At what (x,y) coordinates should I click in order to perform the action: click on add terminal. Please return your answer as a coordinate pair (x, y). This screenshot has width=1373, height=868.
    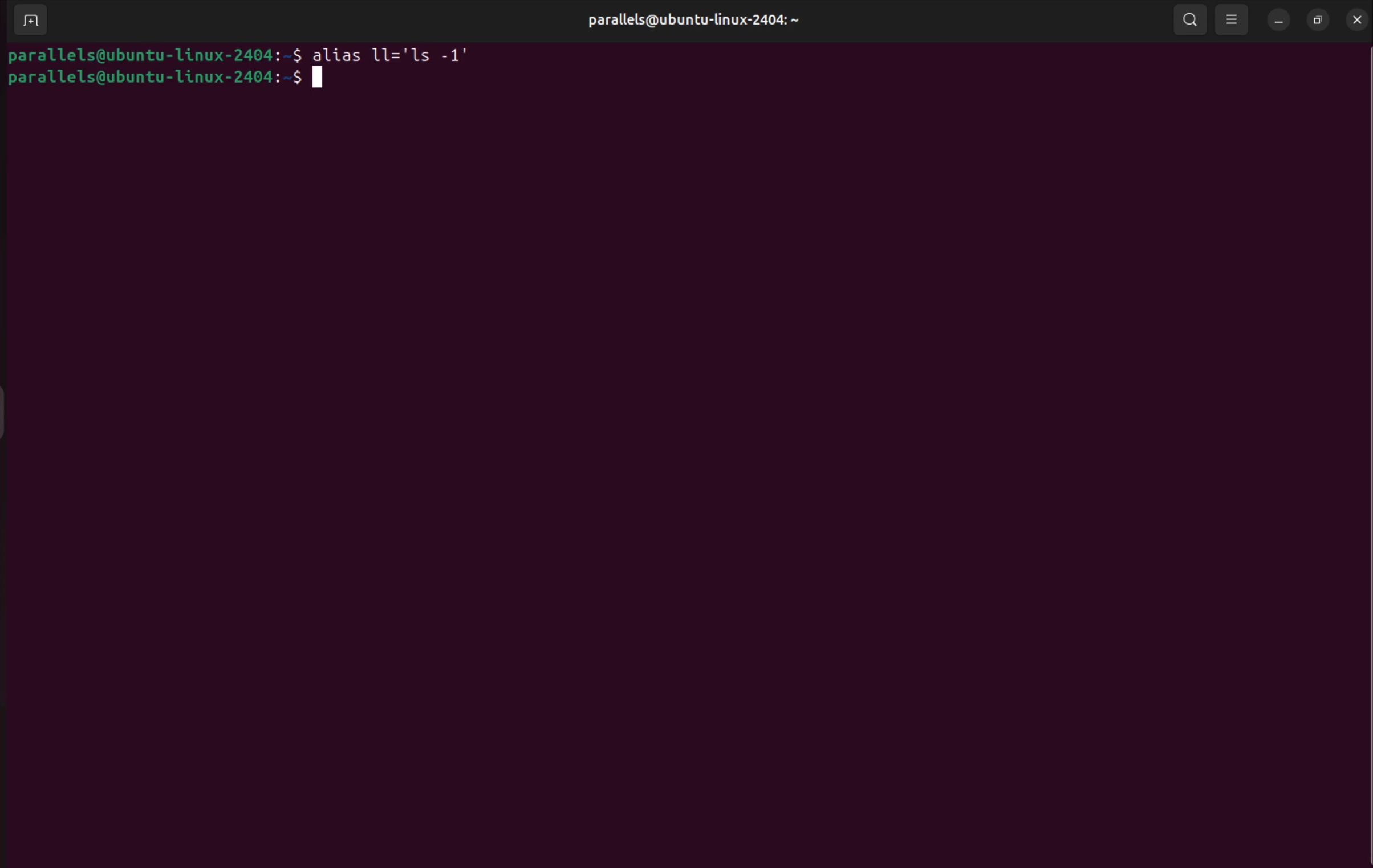
    Looking at the image, I should click on (30, 22).